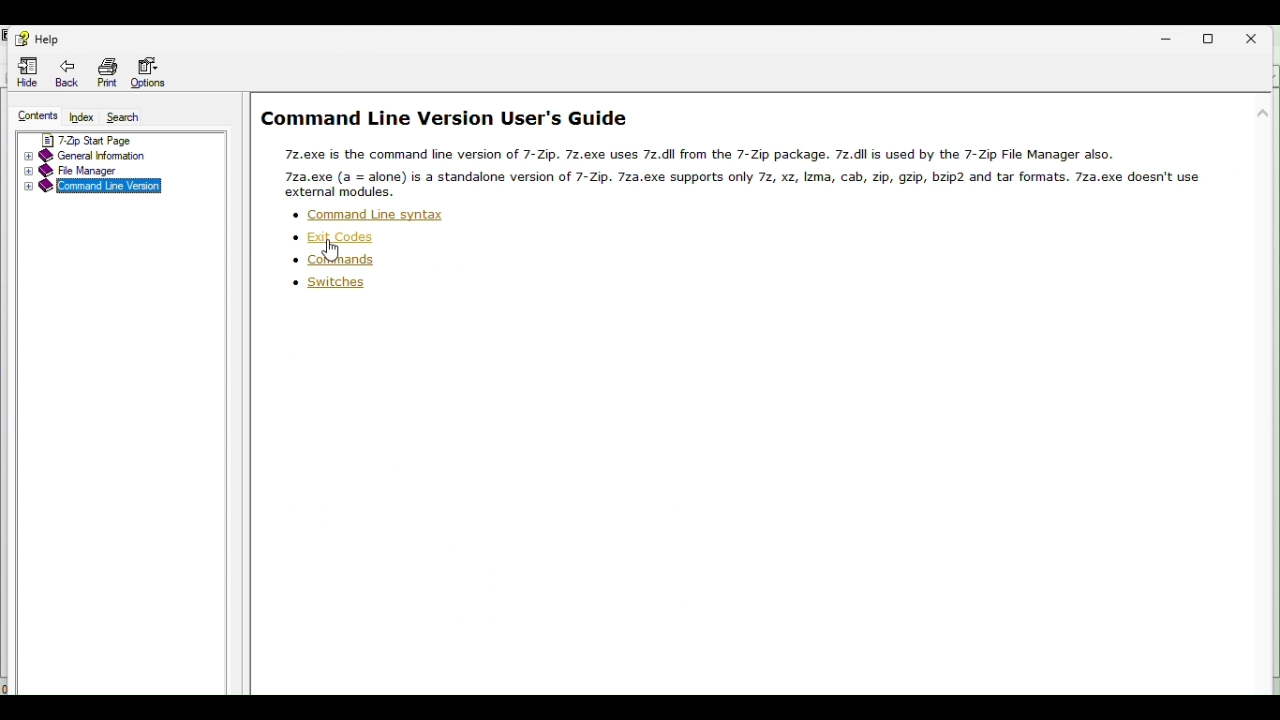 This screenshot has width=1280, height=720. What do you see at coordinates (1176, 35) in the screenshot?
I see `Minimize` at bounding box center [1176, 35].